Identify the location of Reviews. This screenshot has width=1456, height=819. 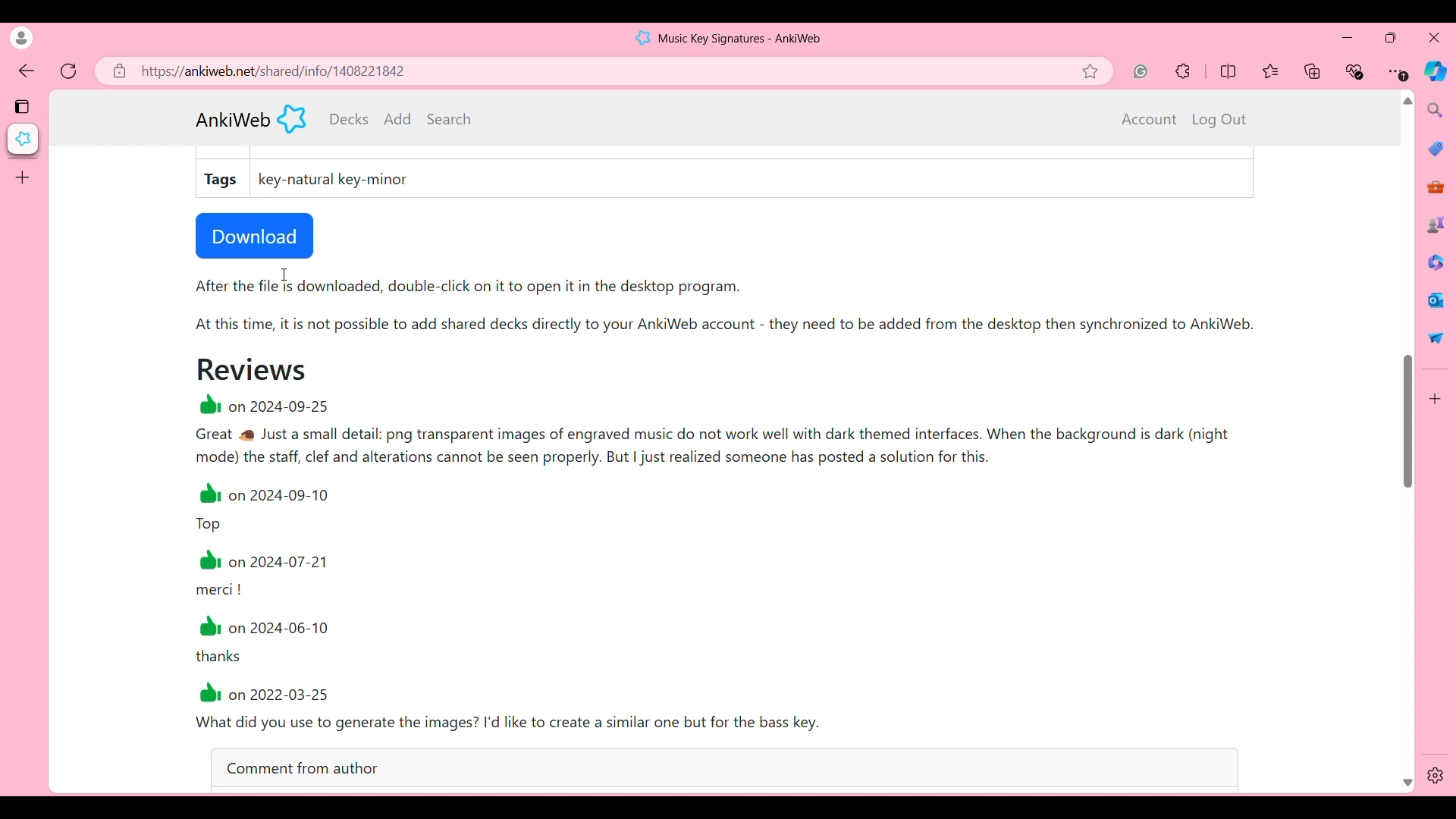
(252, 369).